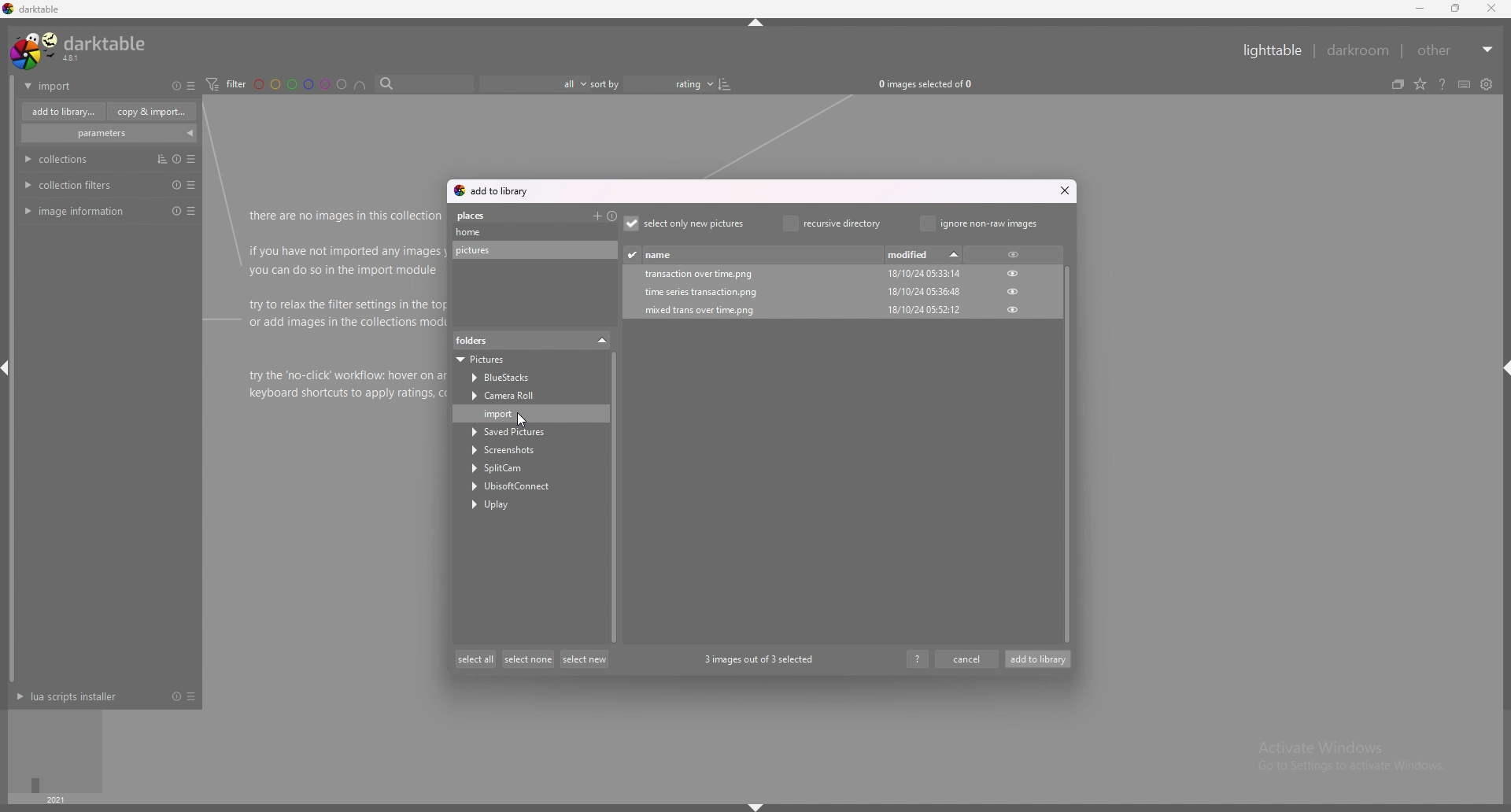 This screenshot has height=812, width=1511. Describe the element at coordinates (930, 83) in the screenshot. I see `0 images selected of 0` at that location.